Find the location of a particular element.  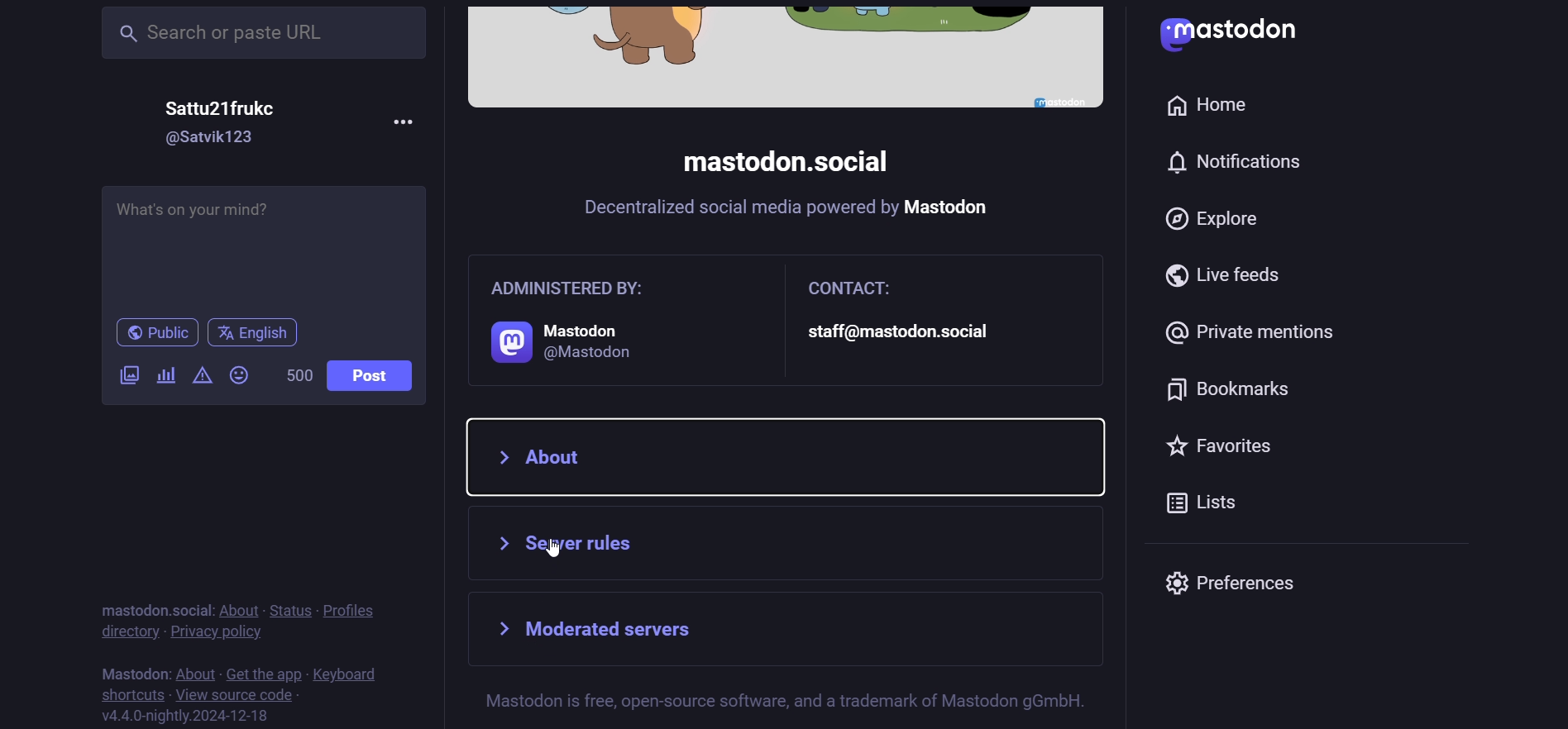

instruction is located at coordinates (802, 213).